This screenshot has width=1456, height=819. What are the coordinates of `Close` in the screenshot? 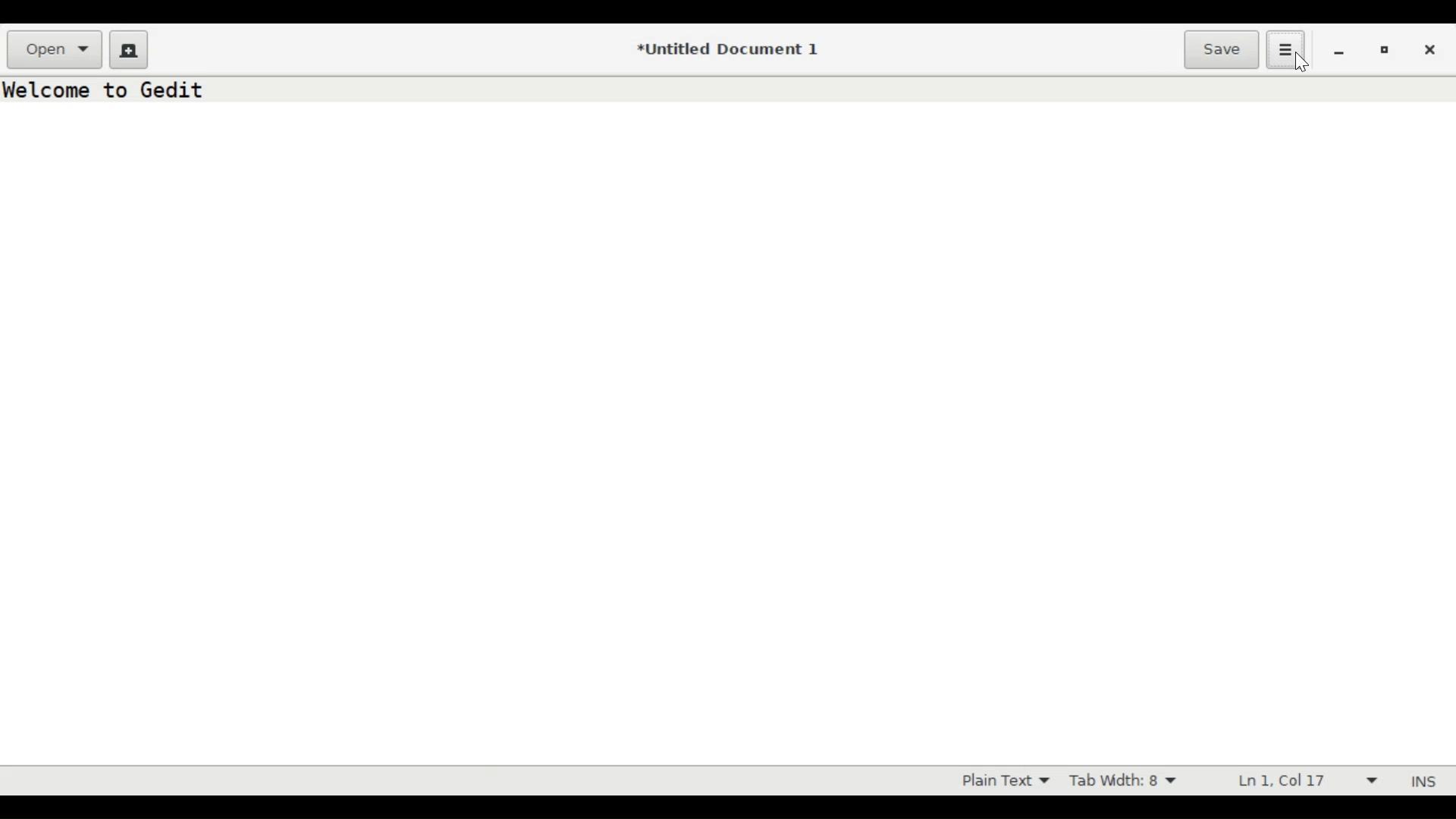 It's located at (1431, 50).